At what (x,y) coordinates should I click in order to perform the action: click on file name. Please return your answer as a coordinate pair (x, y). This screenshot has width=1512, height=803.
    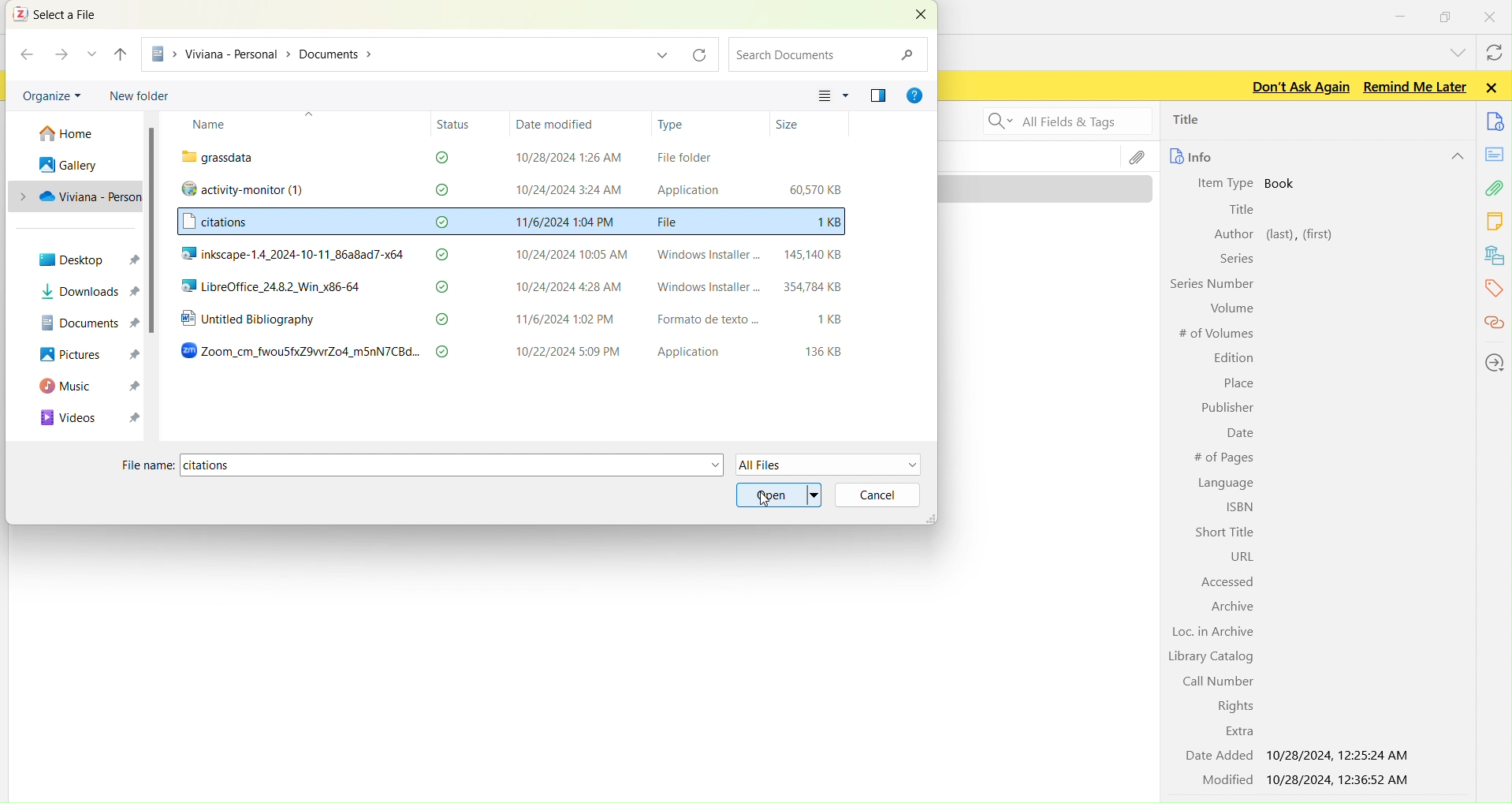
    Looking at the image, I should click on (414, 464).